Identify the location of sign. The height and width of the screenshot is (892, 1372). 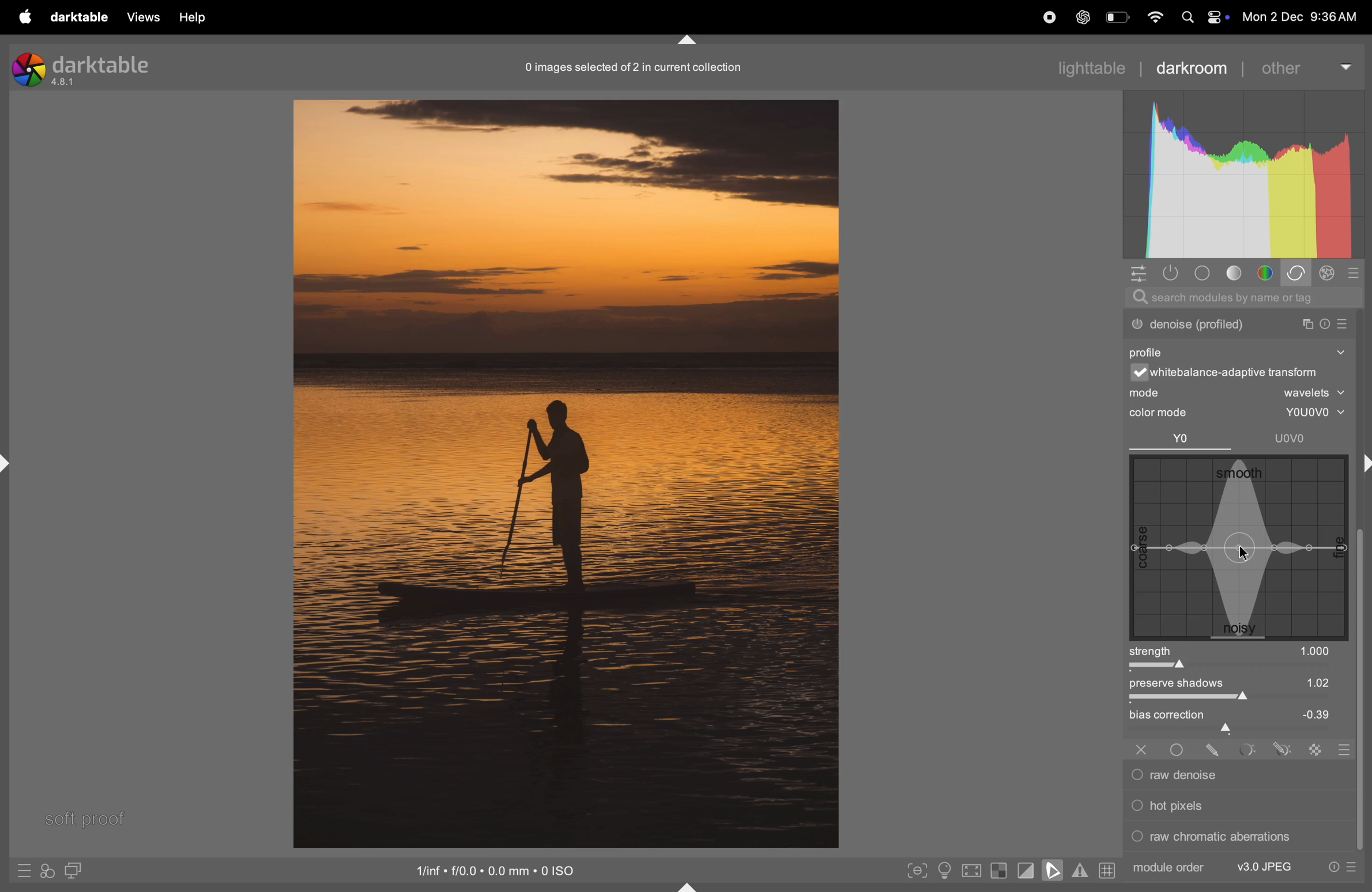
(23, 874).